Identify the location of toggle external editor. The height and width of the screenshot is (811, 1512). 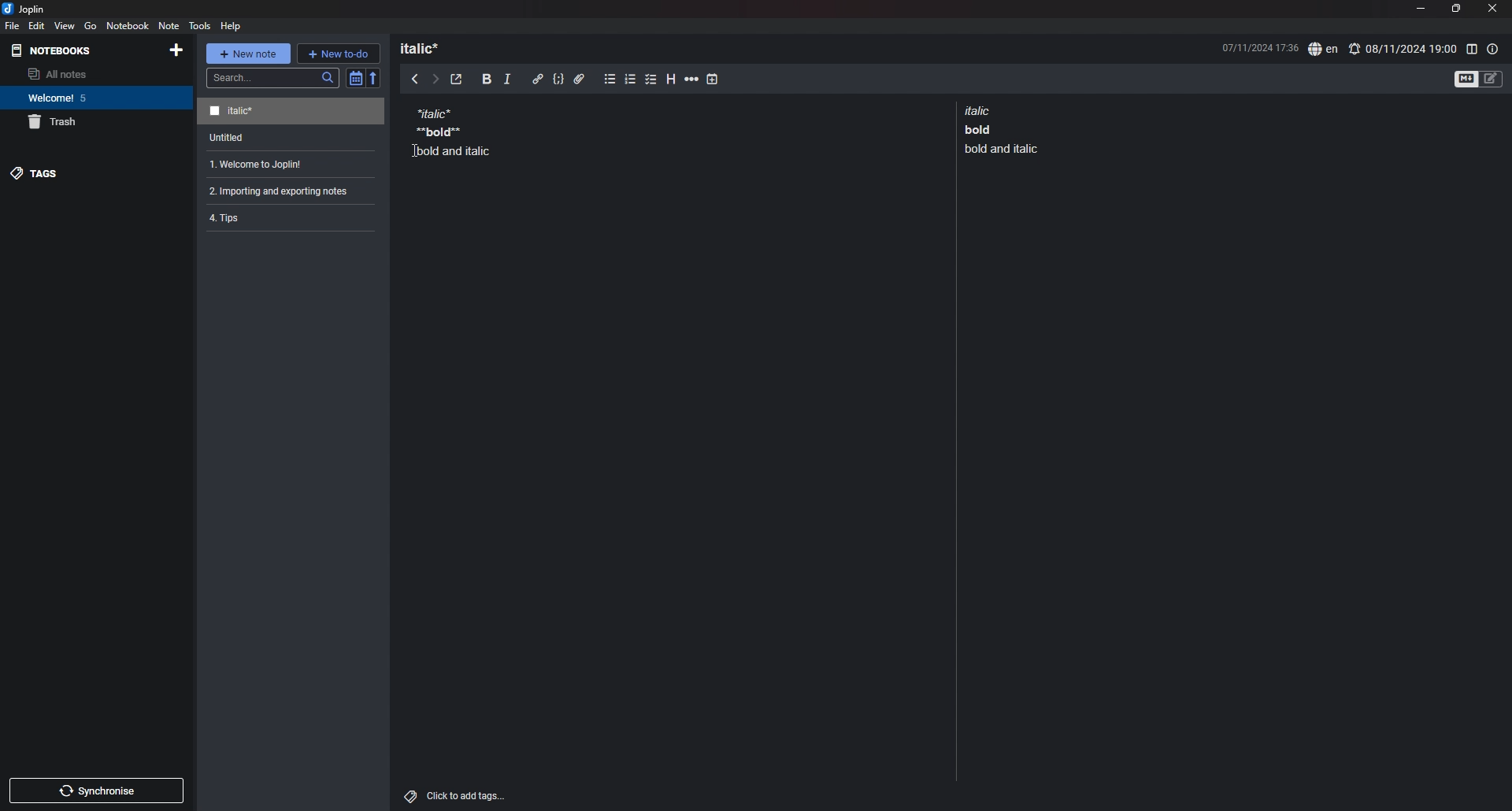
(457, 80).